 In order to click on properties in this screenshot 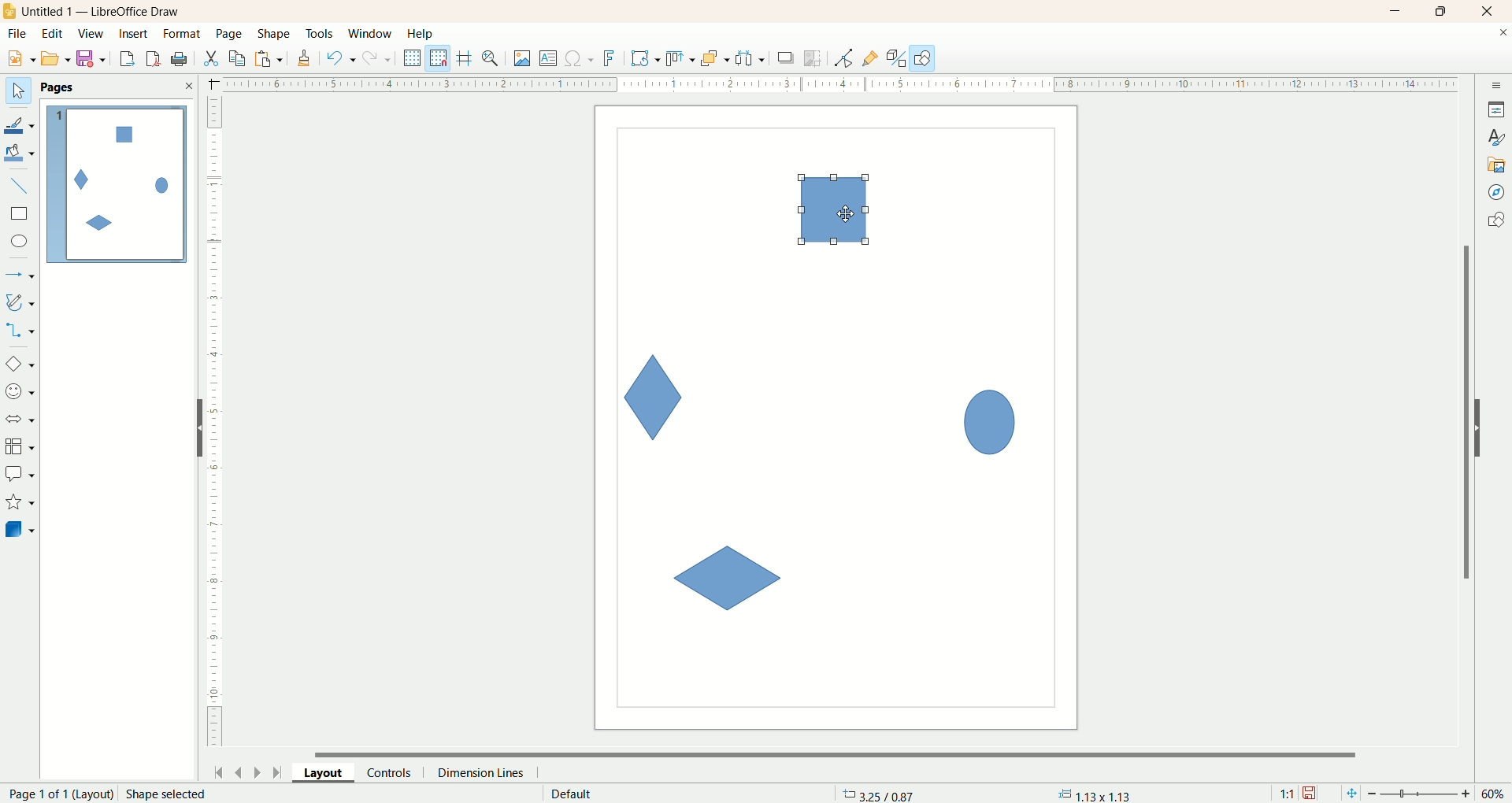, I will do `click(1496, 109)`.